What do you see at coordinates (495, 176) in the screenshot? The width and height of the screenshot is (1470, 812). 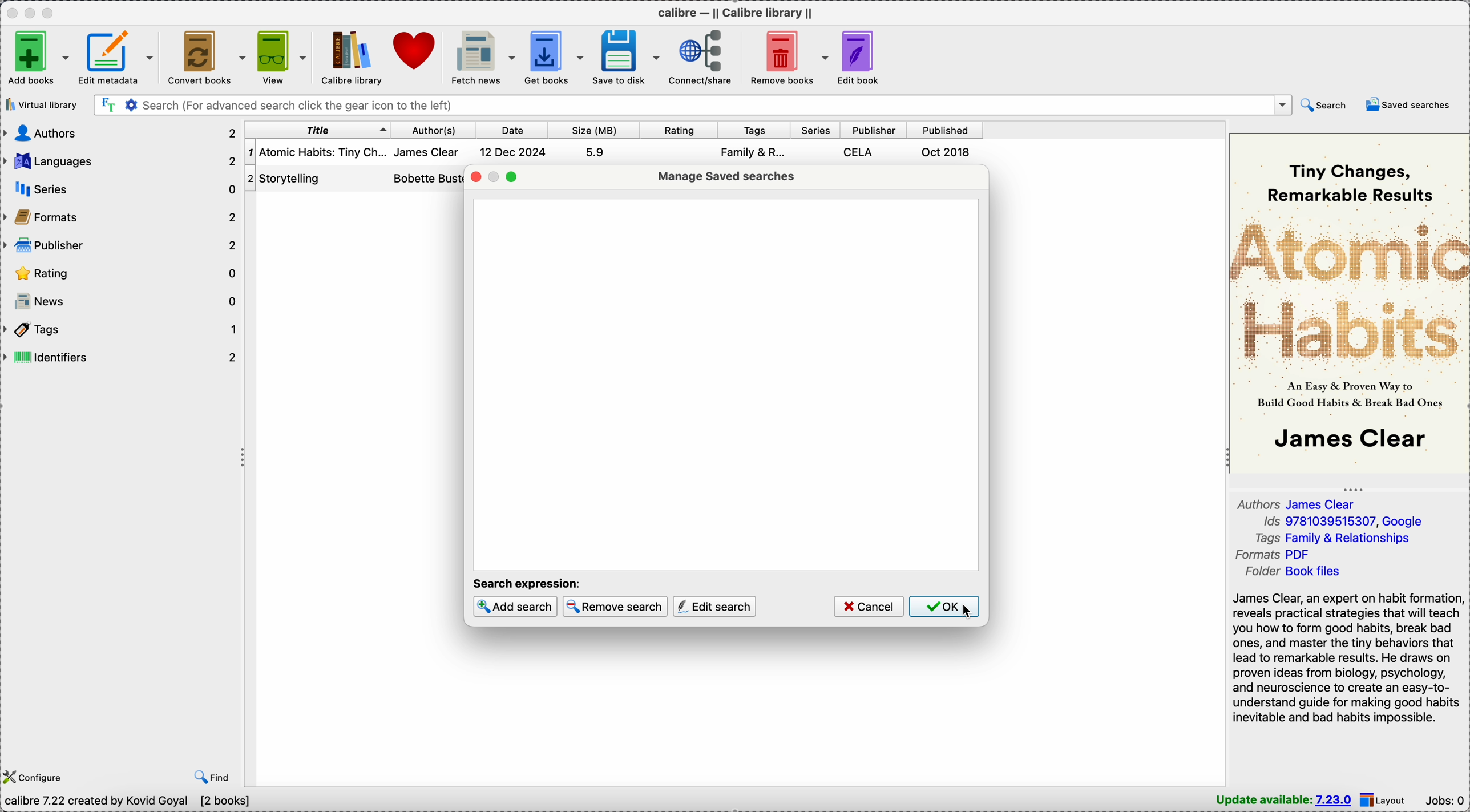 I see `minimize` at bounding box center [495, 176].